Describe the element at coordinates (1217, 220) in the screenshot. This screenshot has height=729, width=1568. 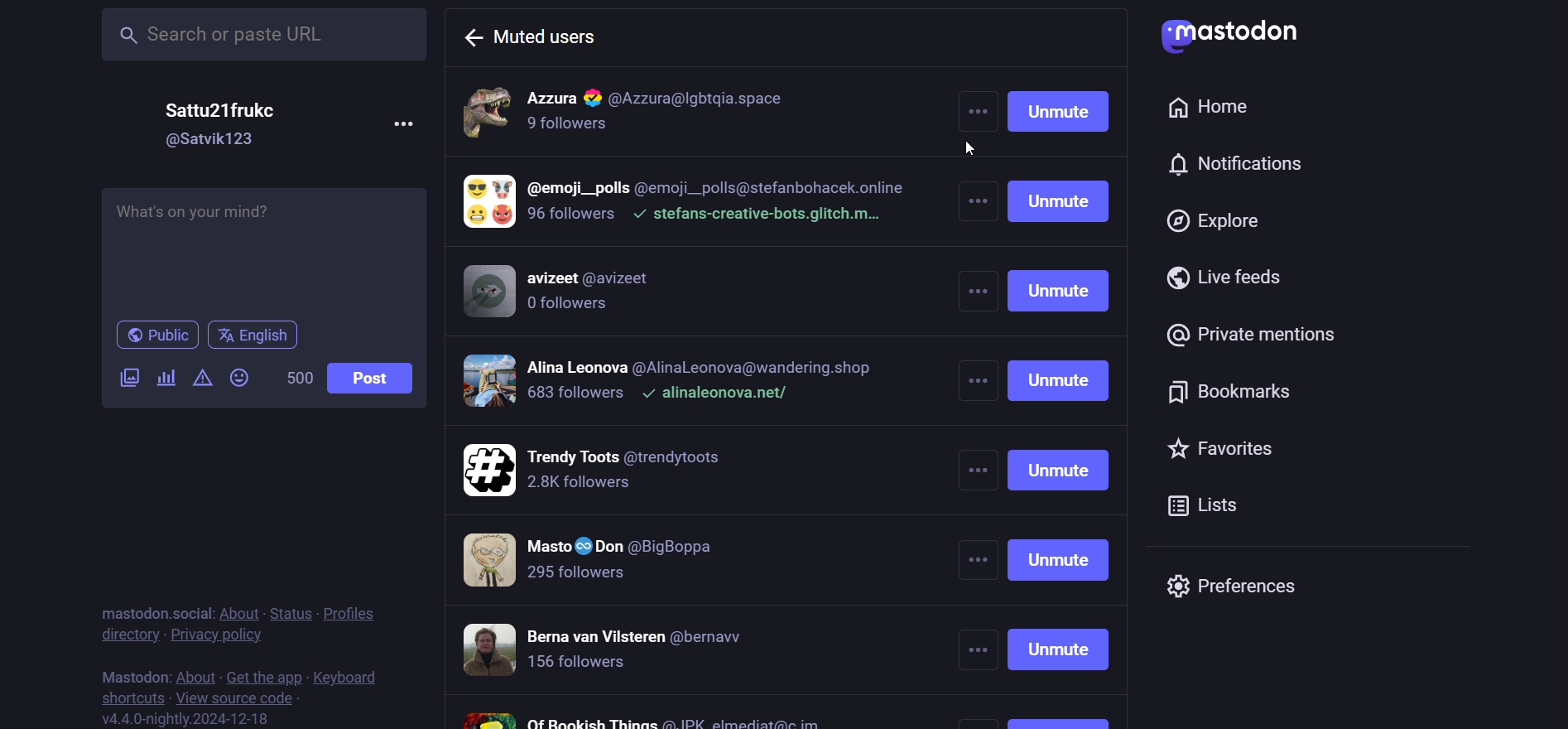
I see `explore` at that location.